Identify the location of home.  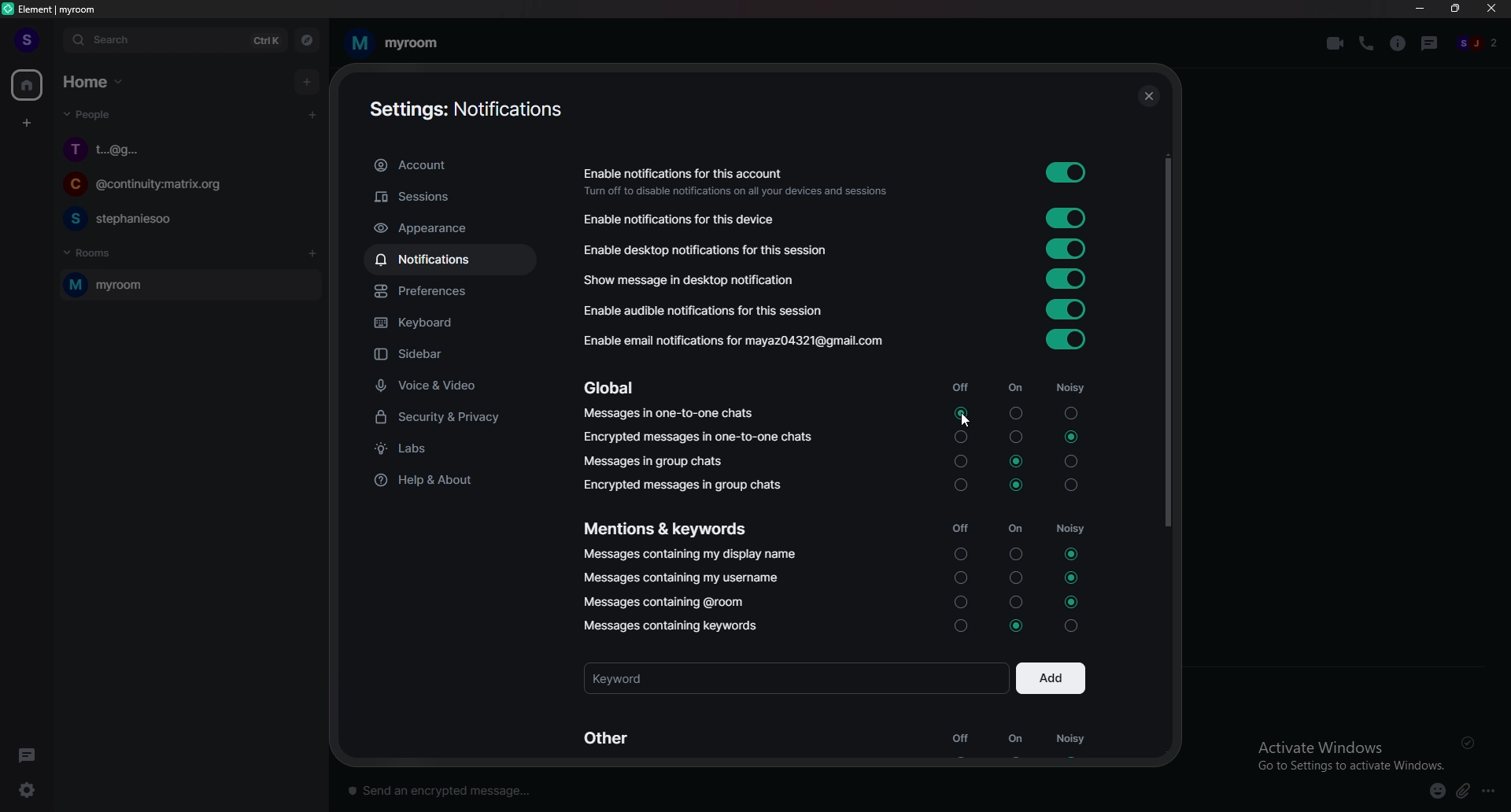
(28, 86).